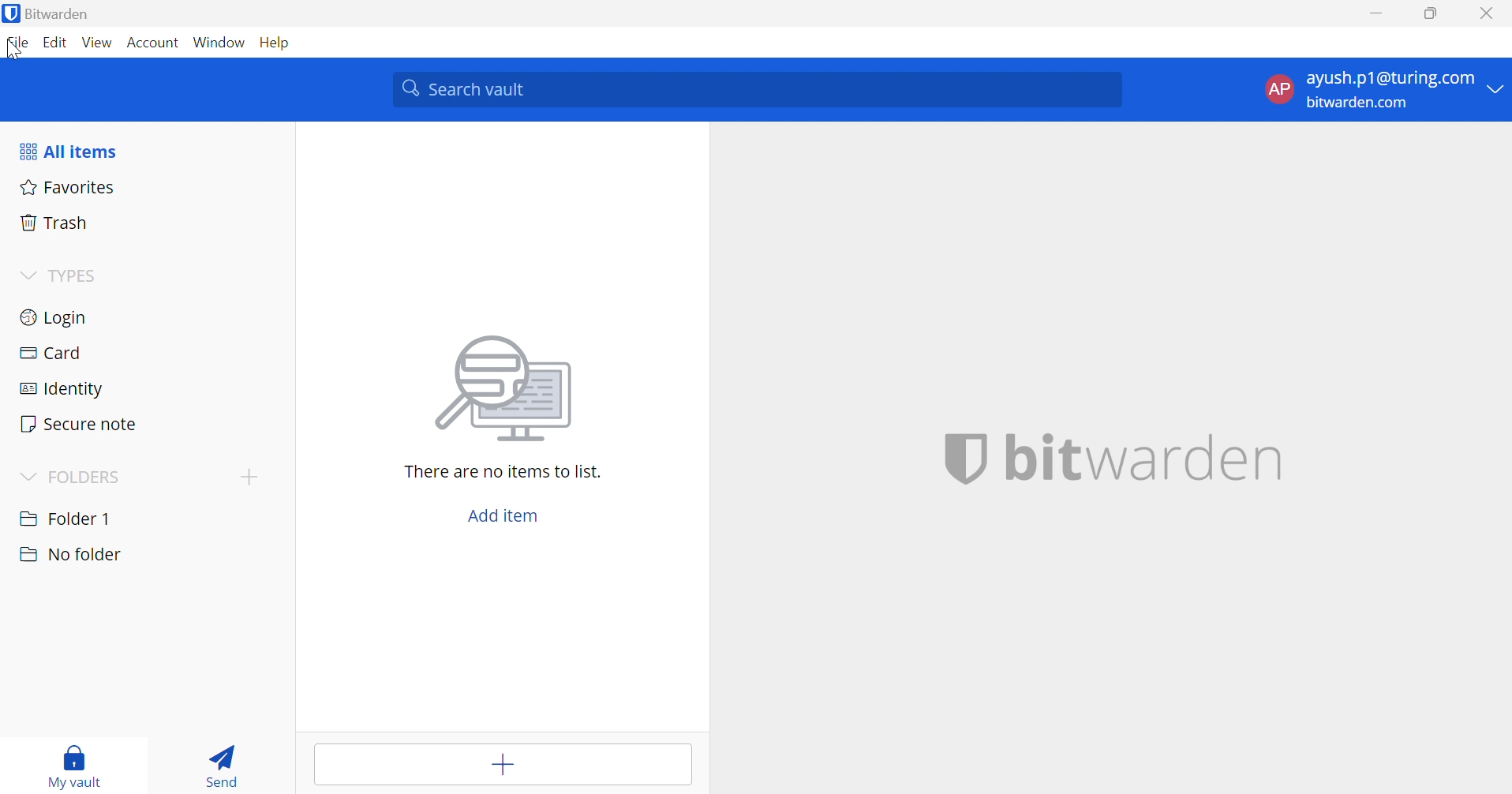 This screenshot has height=794, width=1512. Describe the element at coordinates (501, 762) in the screenshot. I see `Add item` at that location.